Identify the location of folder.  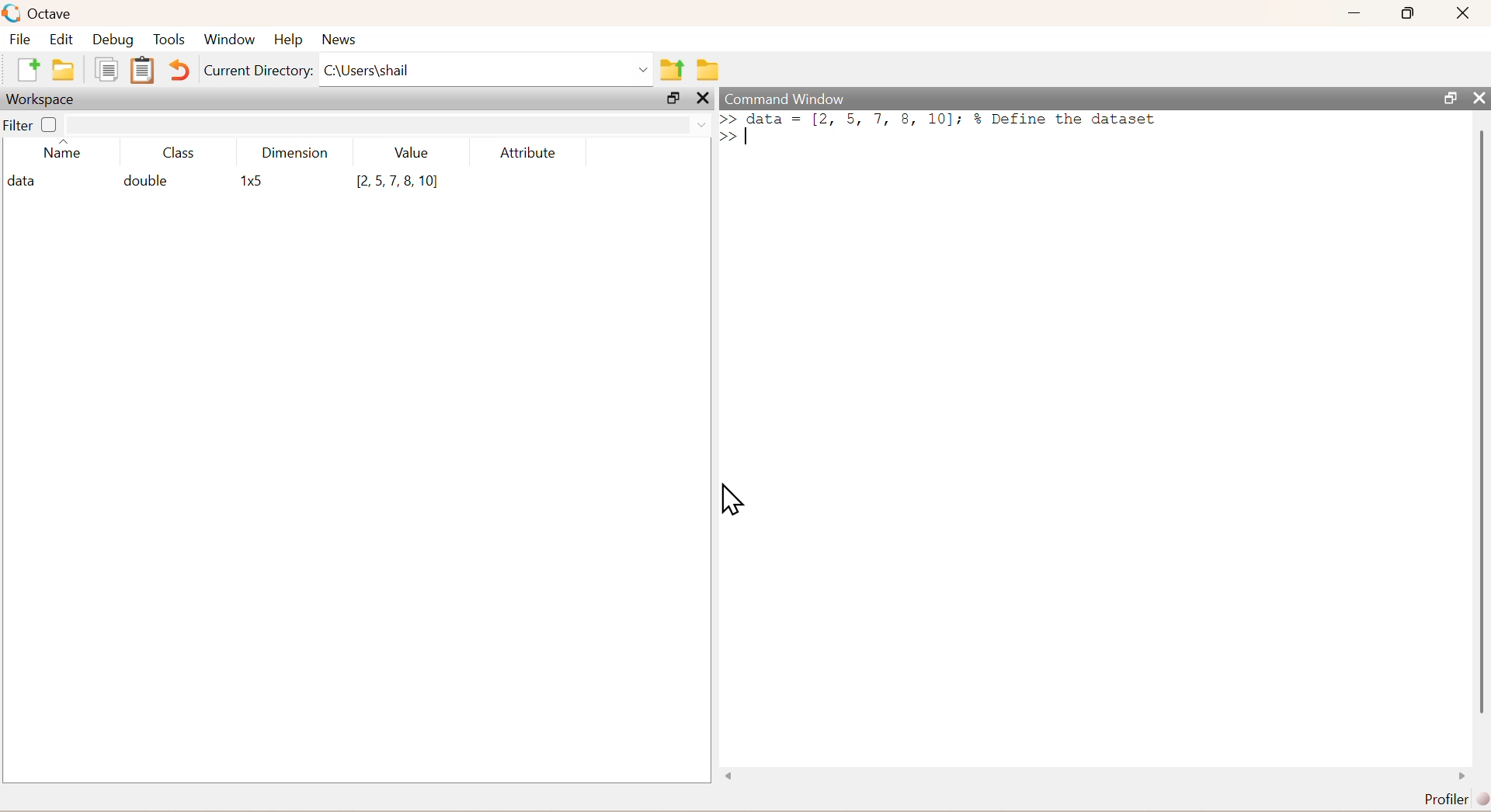
(710, 70).